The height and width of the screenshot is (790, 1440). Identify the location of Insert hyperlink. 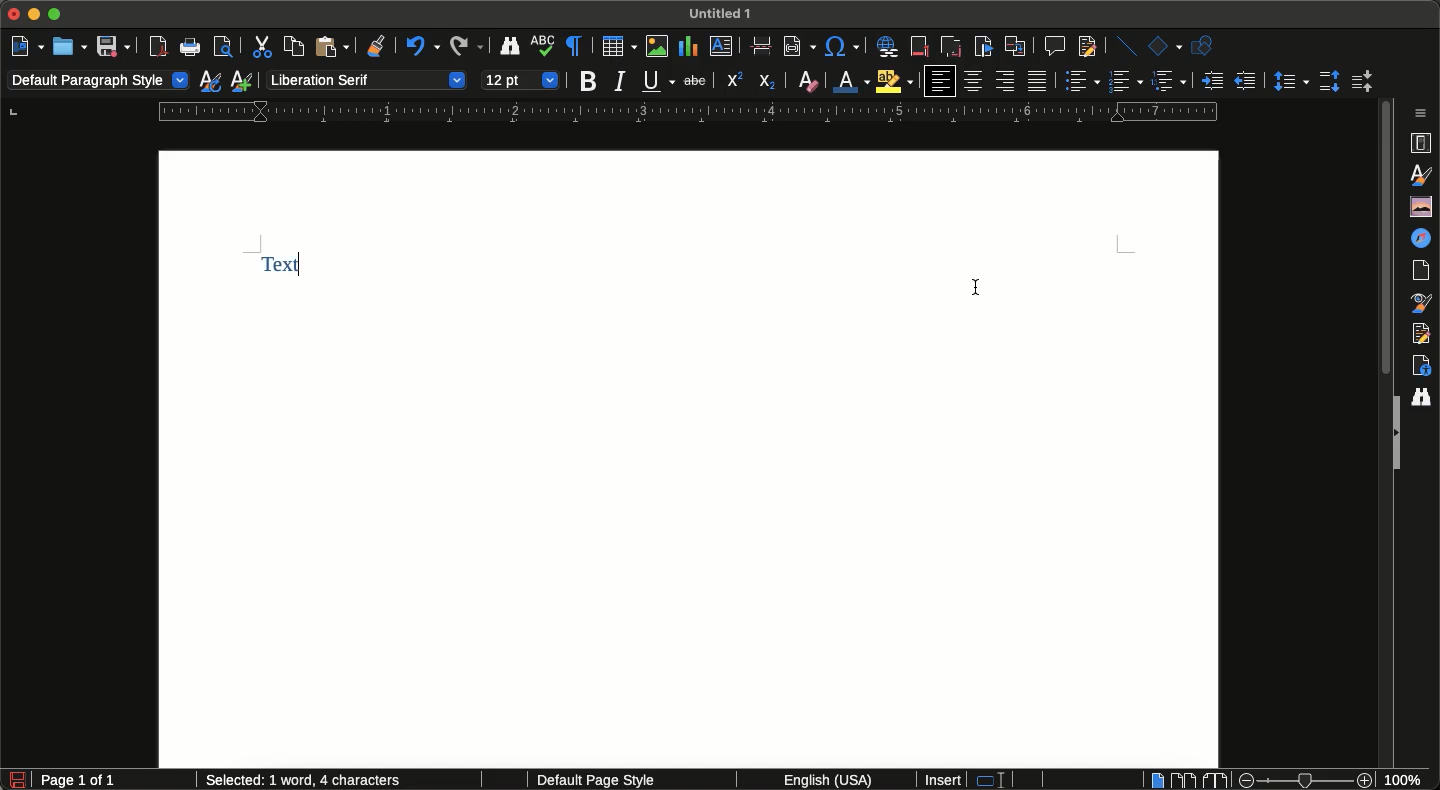
(887, 44).